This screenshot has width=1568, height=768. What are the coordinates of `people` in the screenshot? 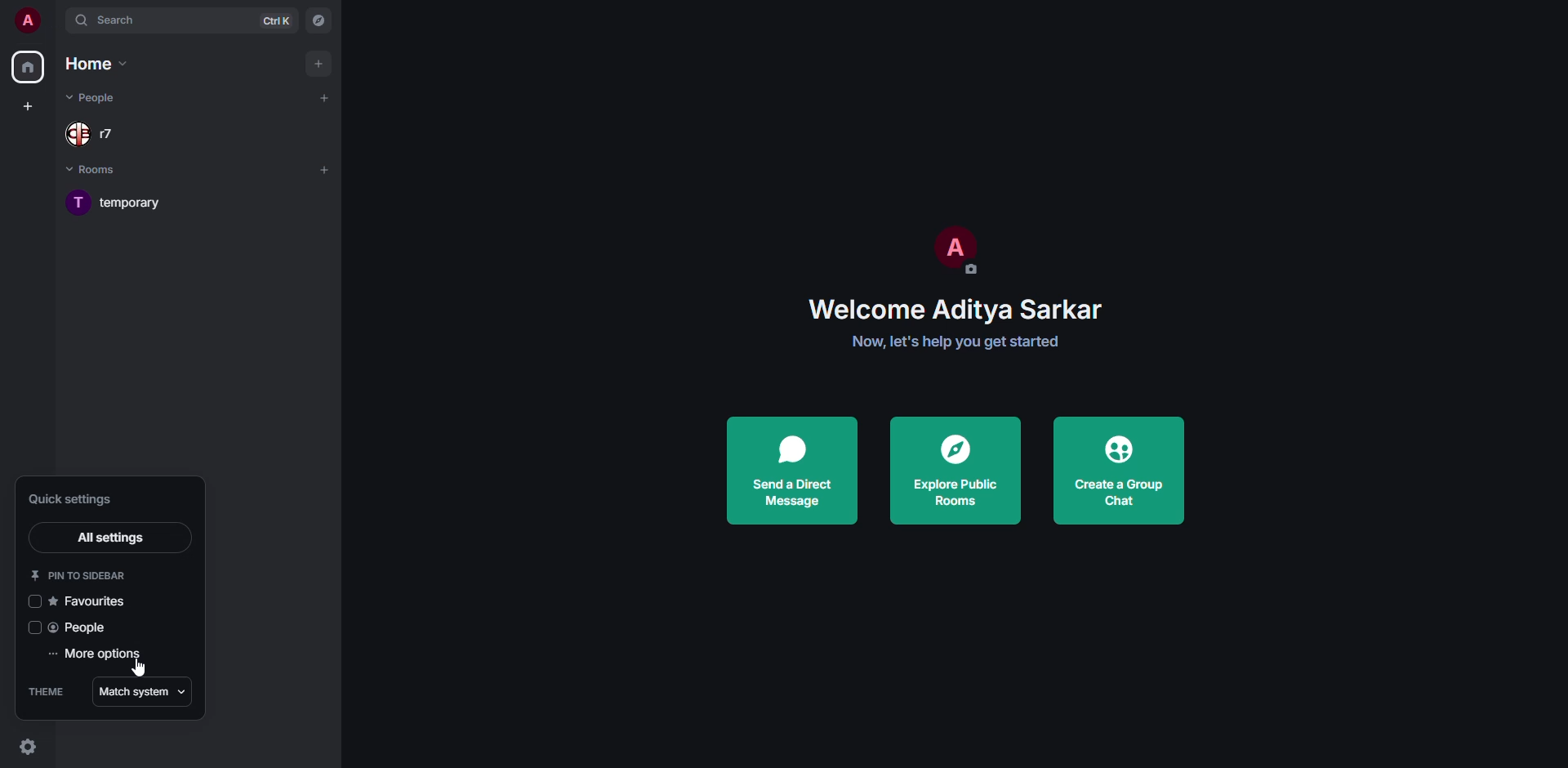 It's located at (94, 96).